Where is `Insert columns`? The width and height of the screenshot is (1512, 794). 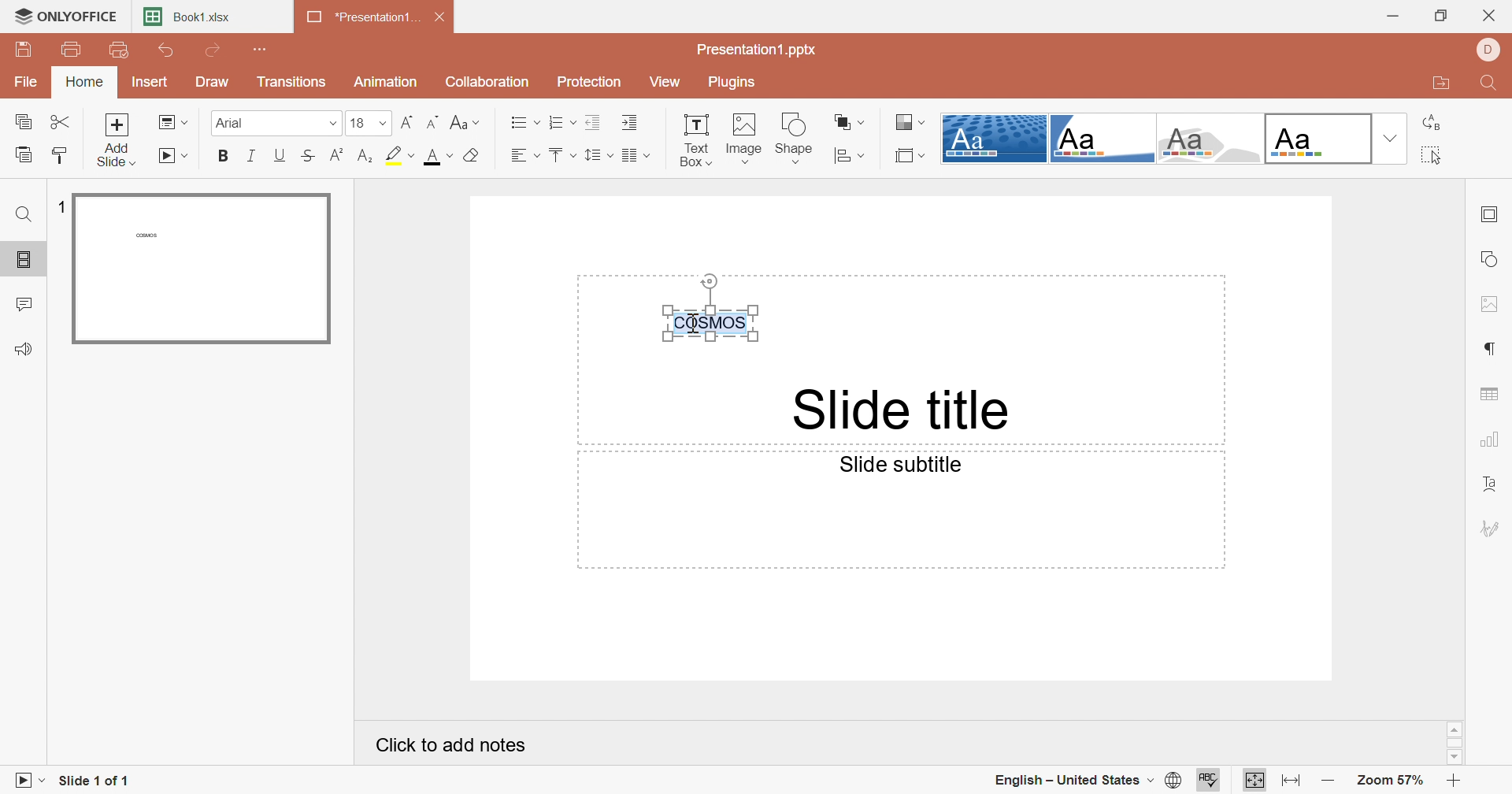 Insert columns is located at coordinates (634, 154).